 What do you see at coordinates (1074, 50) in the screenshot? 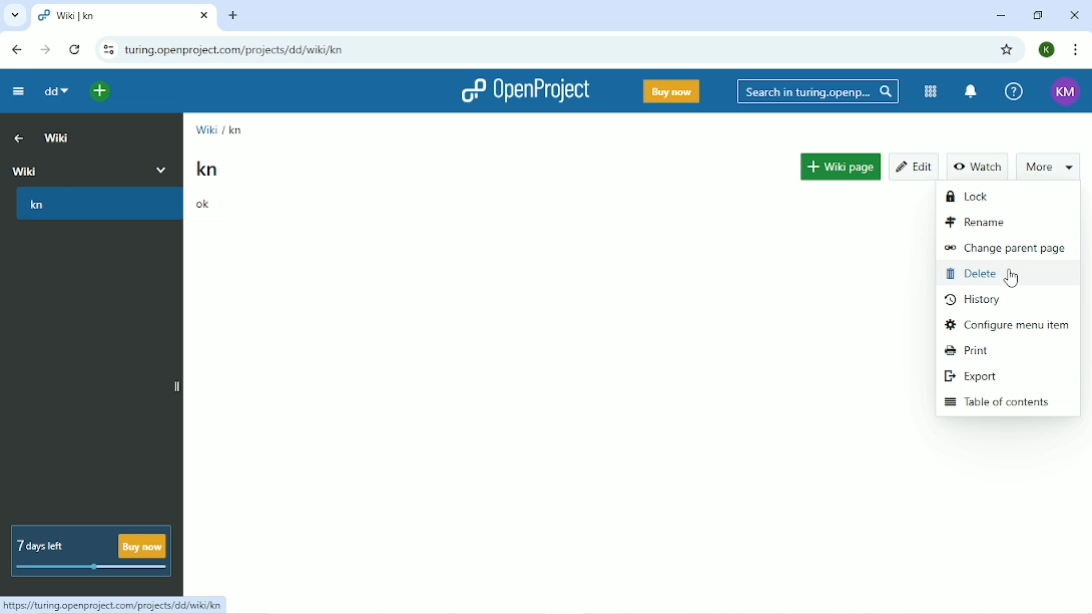
I see `Customize and control google chrome` at bounding box center [1074, 50].